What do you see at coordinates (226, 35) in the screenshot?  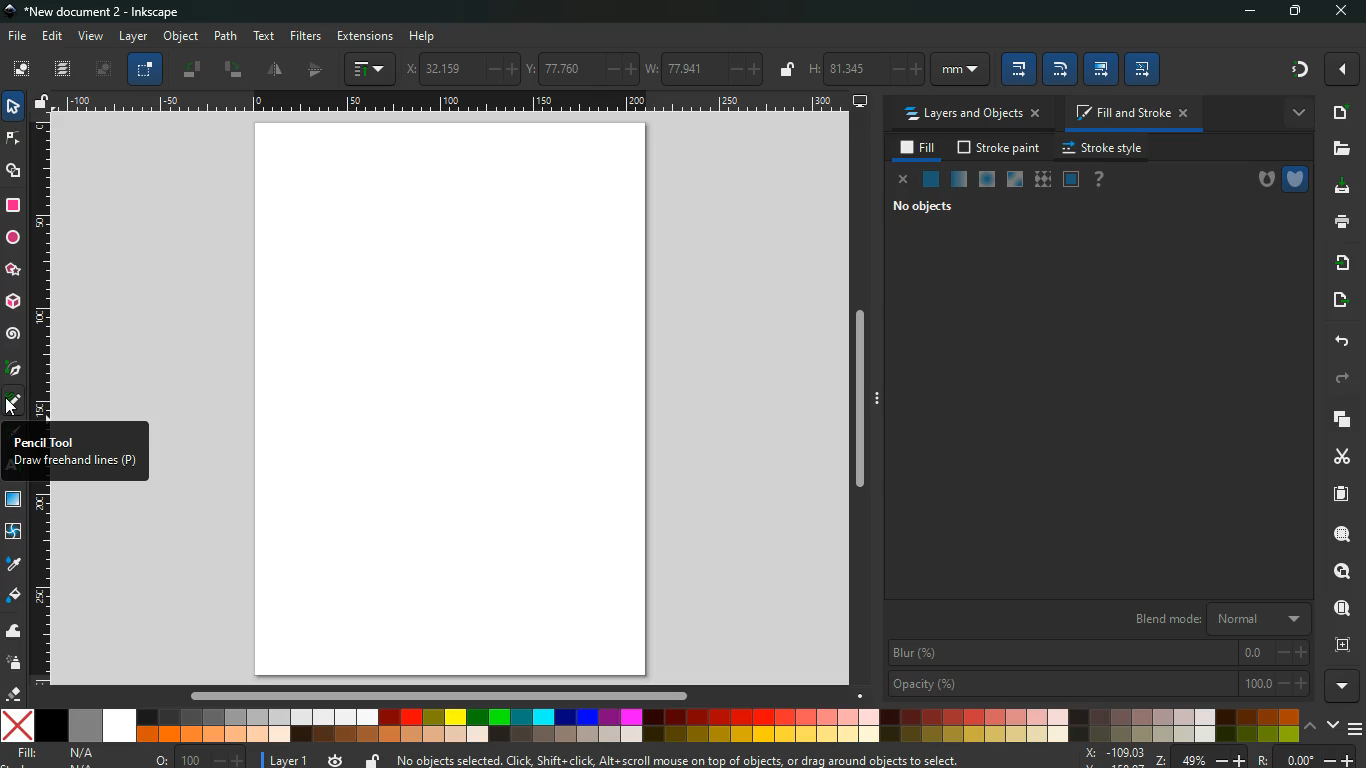 I see `path` at bounding box center [226, 35].